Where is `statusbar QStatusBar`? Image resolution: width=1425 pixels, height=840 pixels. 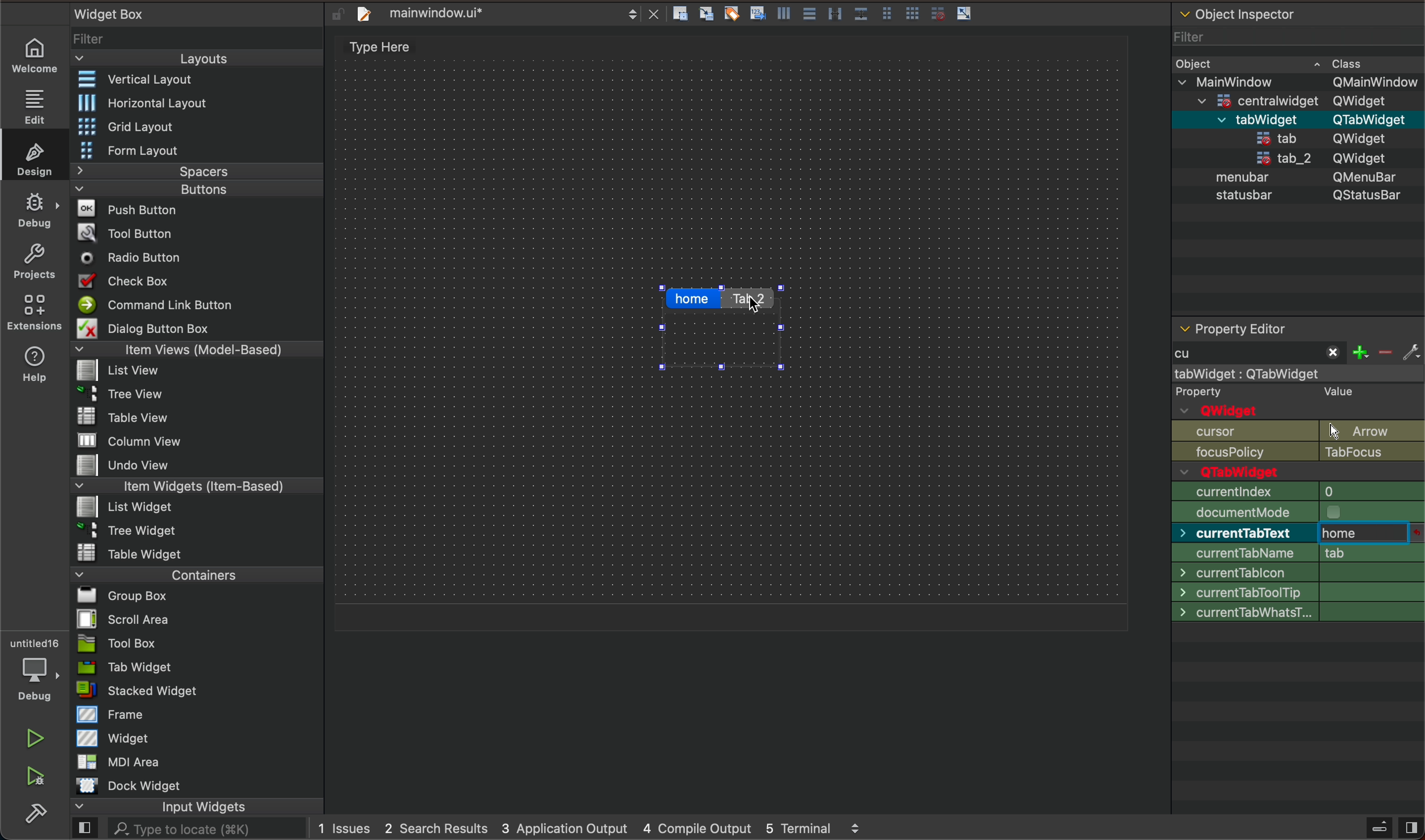
statusbar QStatusBar is located at coordinates (1296, 138).